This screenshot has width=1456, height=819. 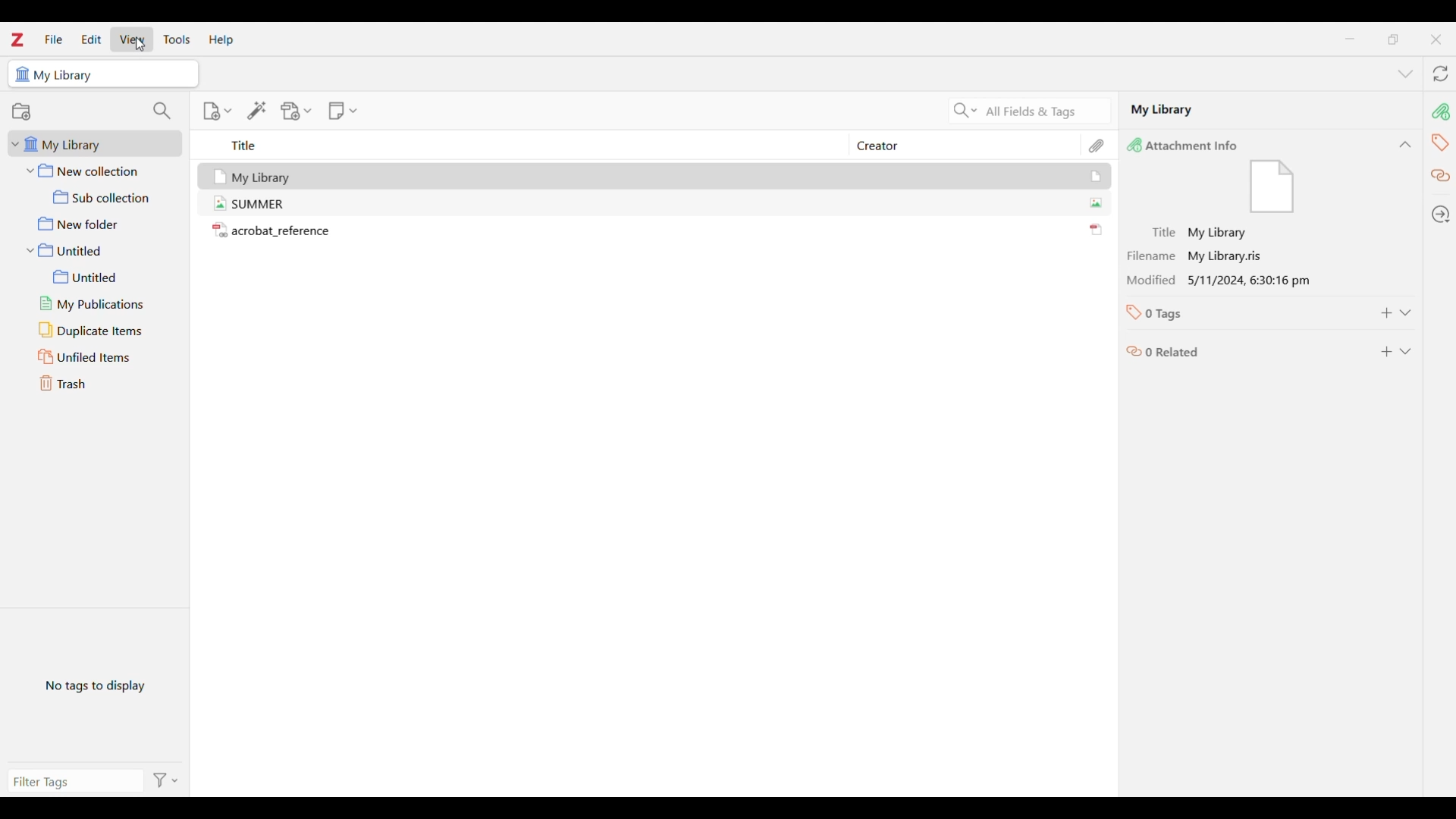 I want to click on Untitled sub folder, so click(x=103, y=277).